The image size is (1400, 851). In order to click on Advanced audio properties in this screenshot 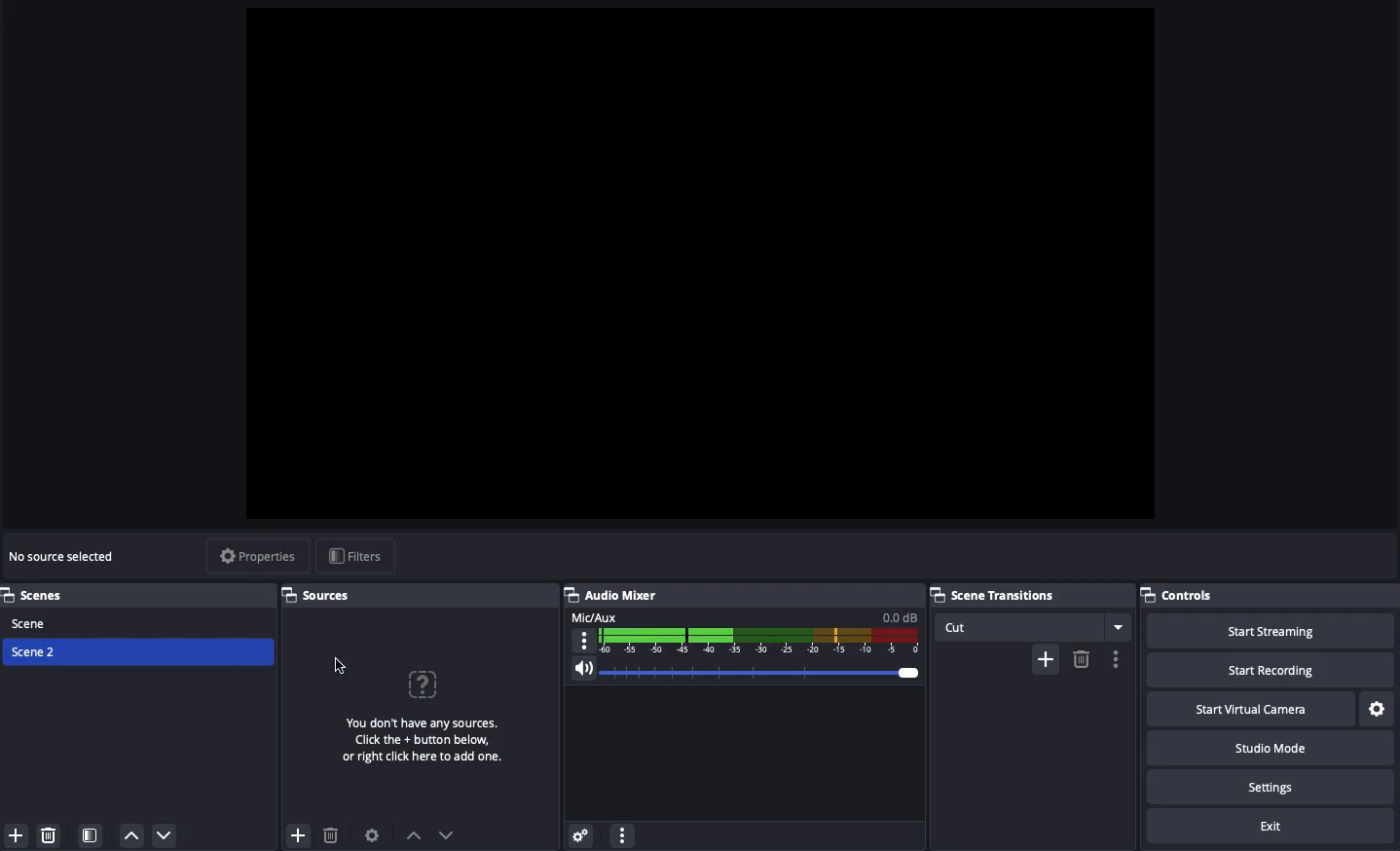, I will do `click(581, 832)`.